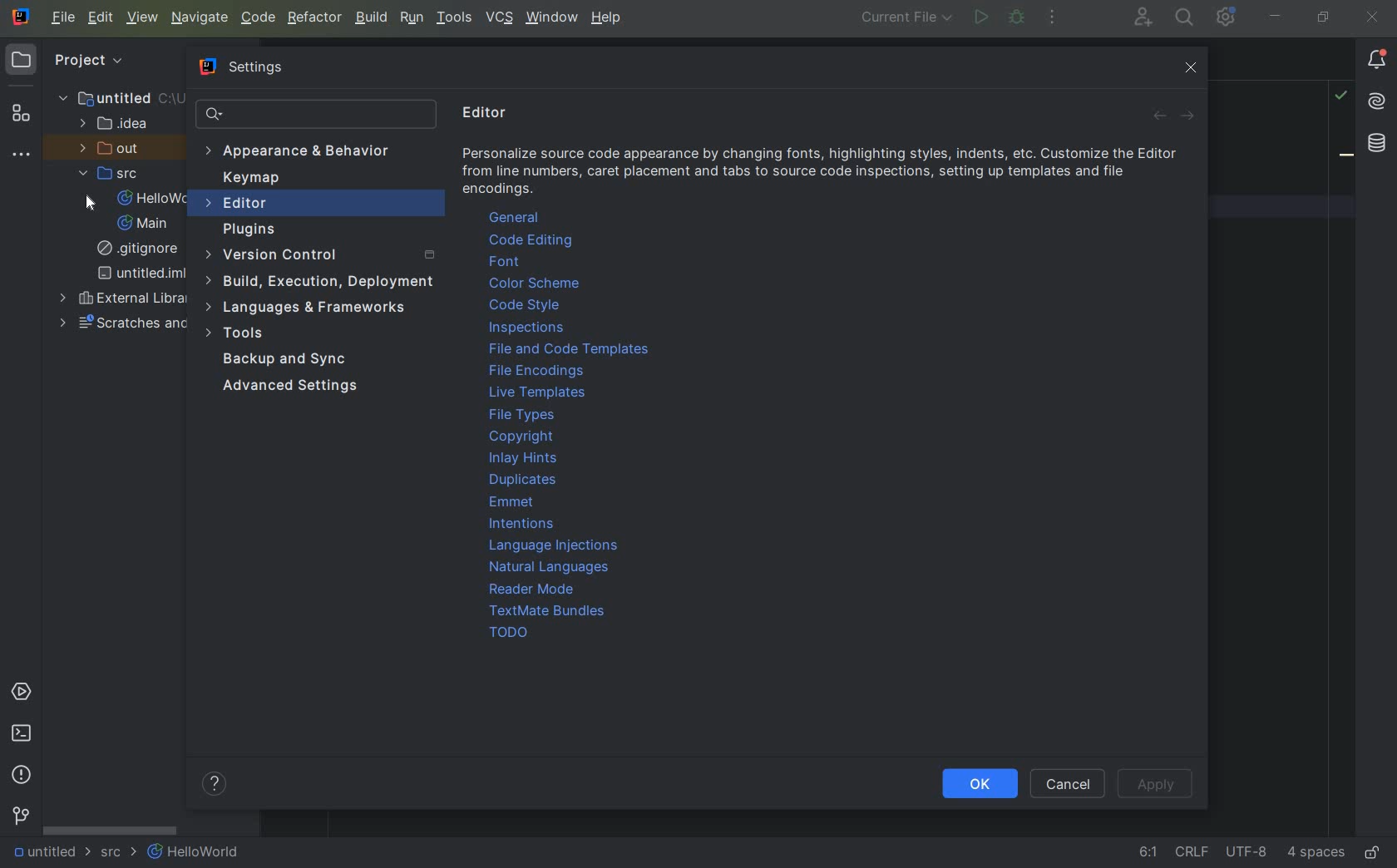 The width and height of the screenshot is (1397, 868). Describe the element at coordinates (521, 481) in the screenshot. I see `duplicates` at that location.